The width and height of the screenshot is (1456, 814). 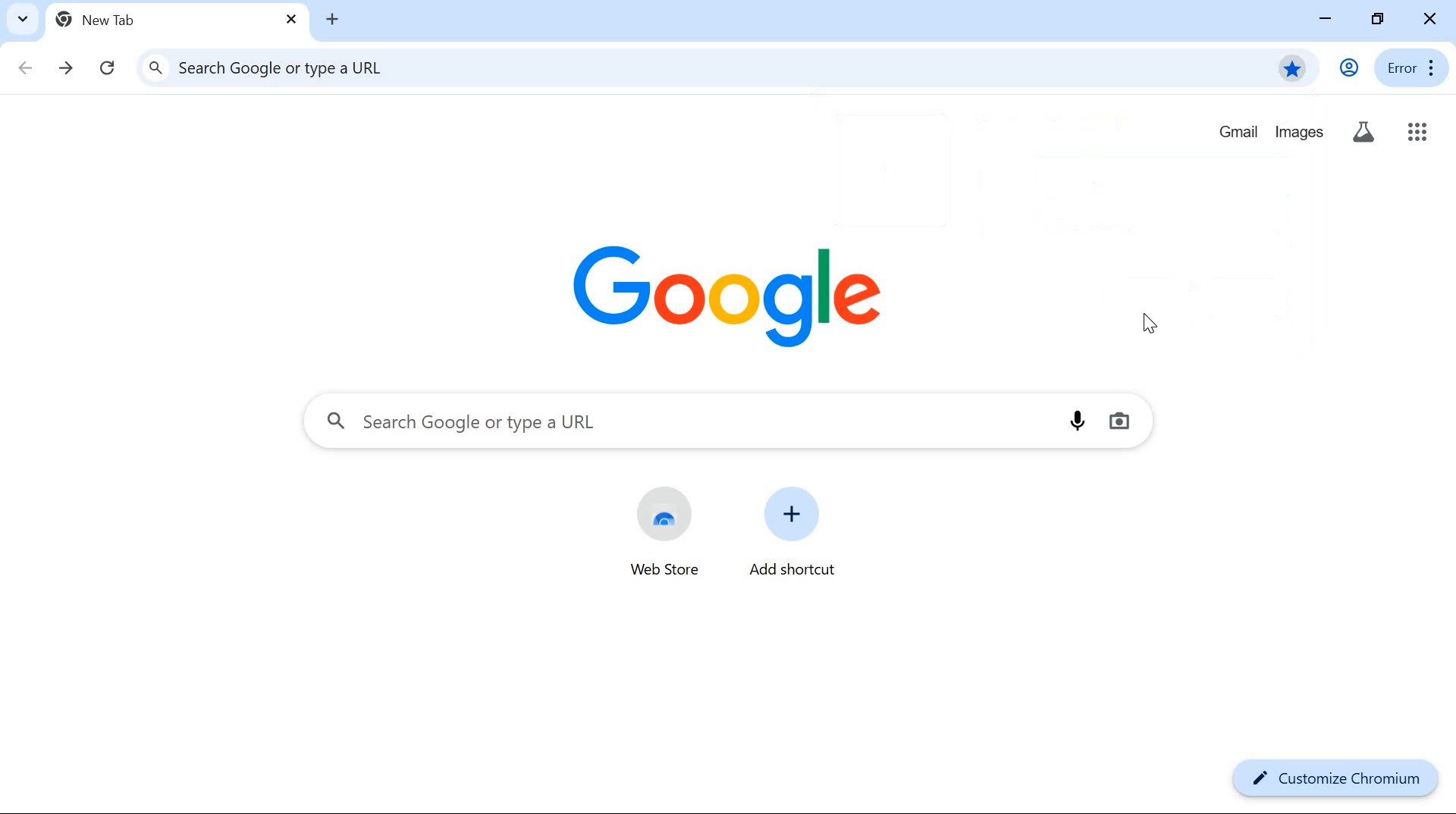 What do you see at coordinates (67, 67) in the screenshot?
I see `forward` at bounding box center [67, 67].